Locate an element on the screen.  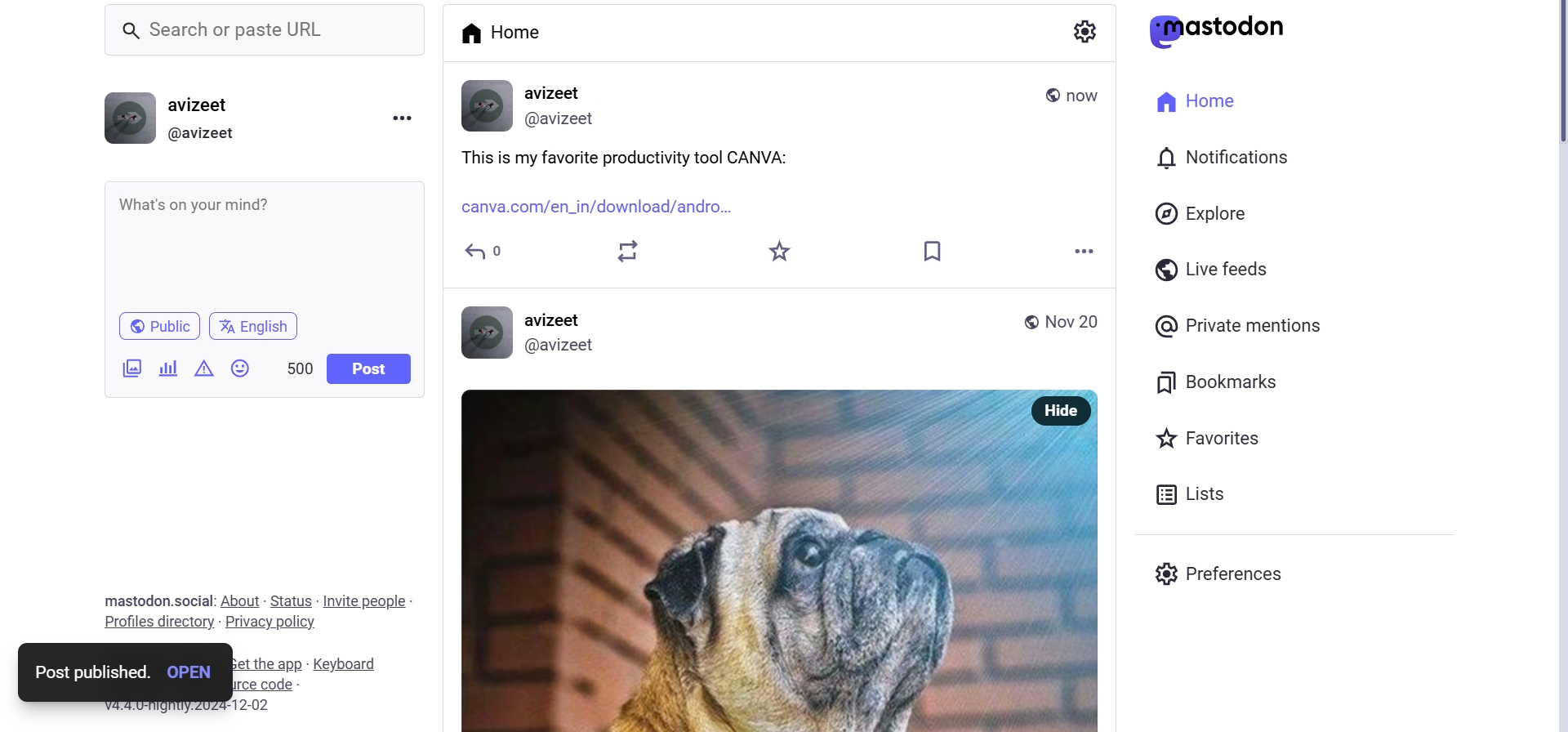
reply is located at coordinates (480, 255).